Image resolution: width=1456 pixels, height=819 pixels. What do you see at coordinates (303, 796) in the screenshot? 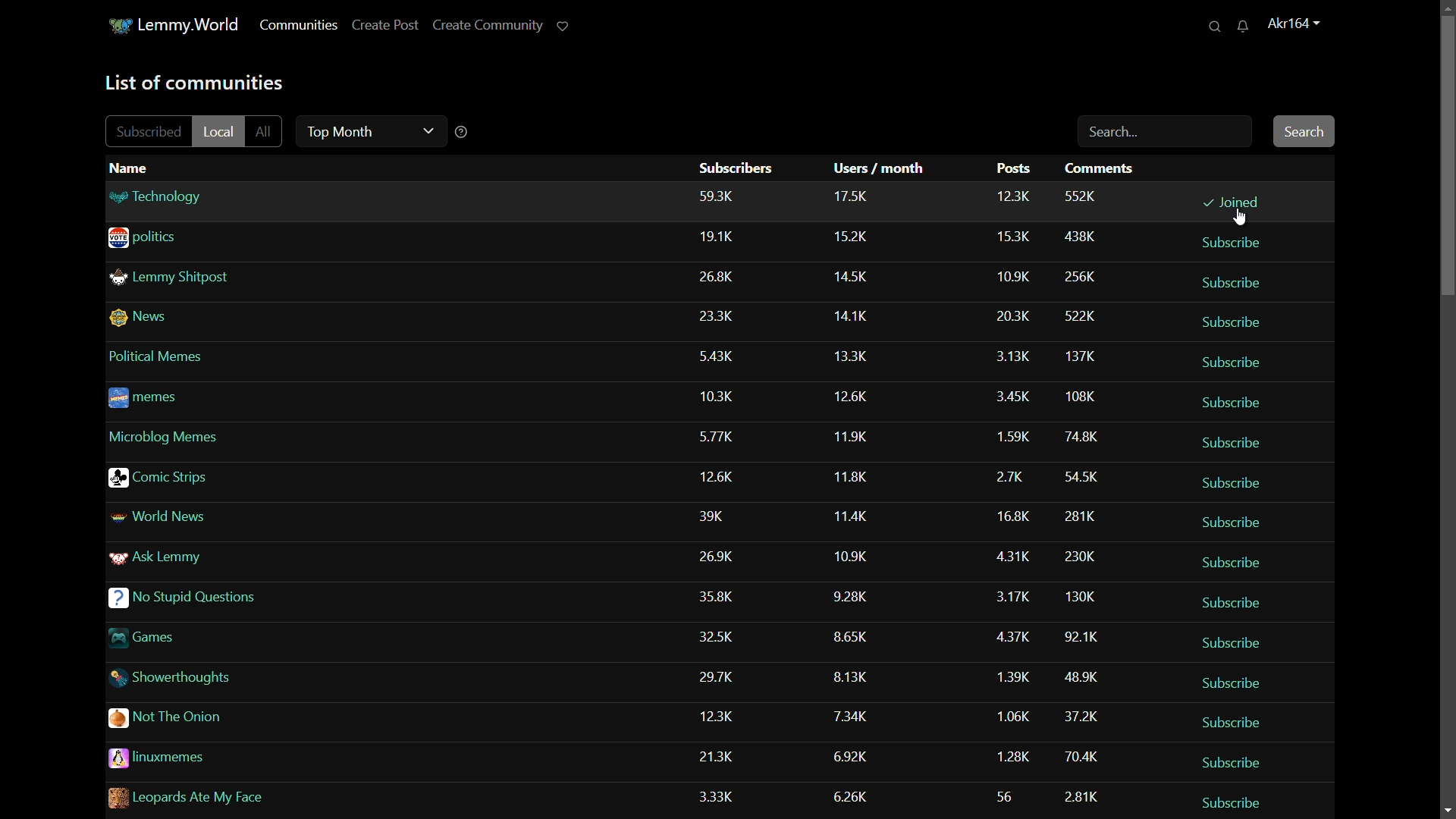
I see `communities name` at bounding box center [303, 796].